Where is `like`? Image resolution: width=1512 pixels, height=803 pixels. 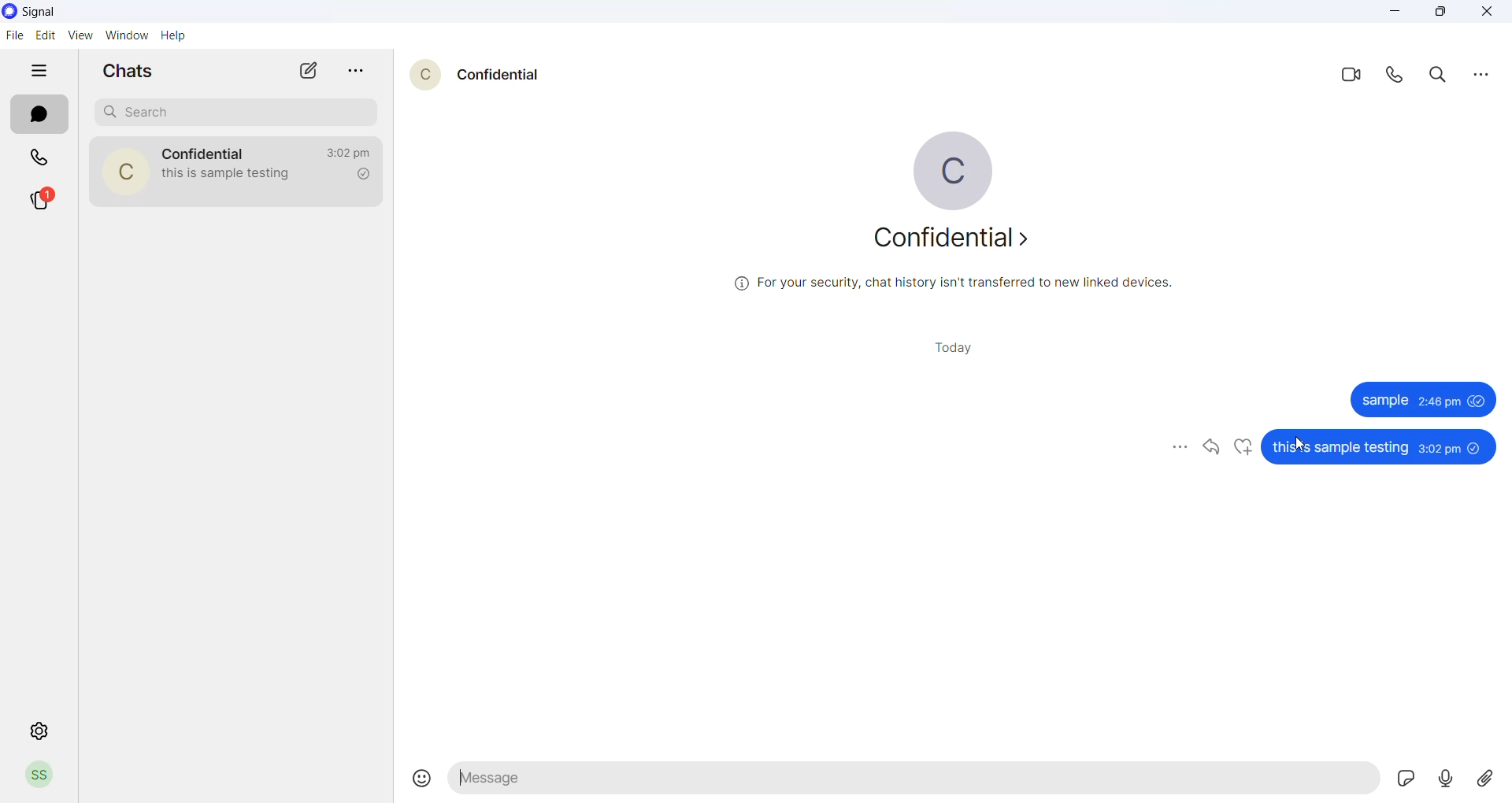 like is located at coordinates (1245, 446).